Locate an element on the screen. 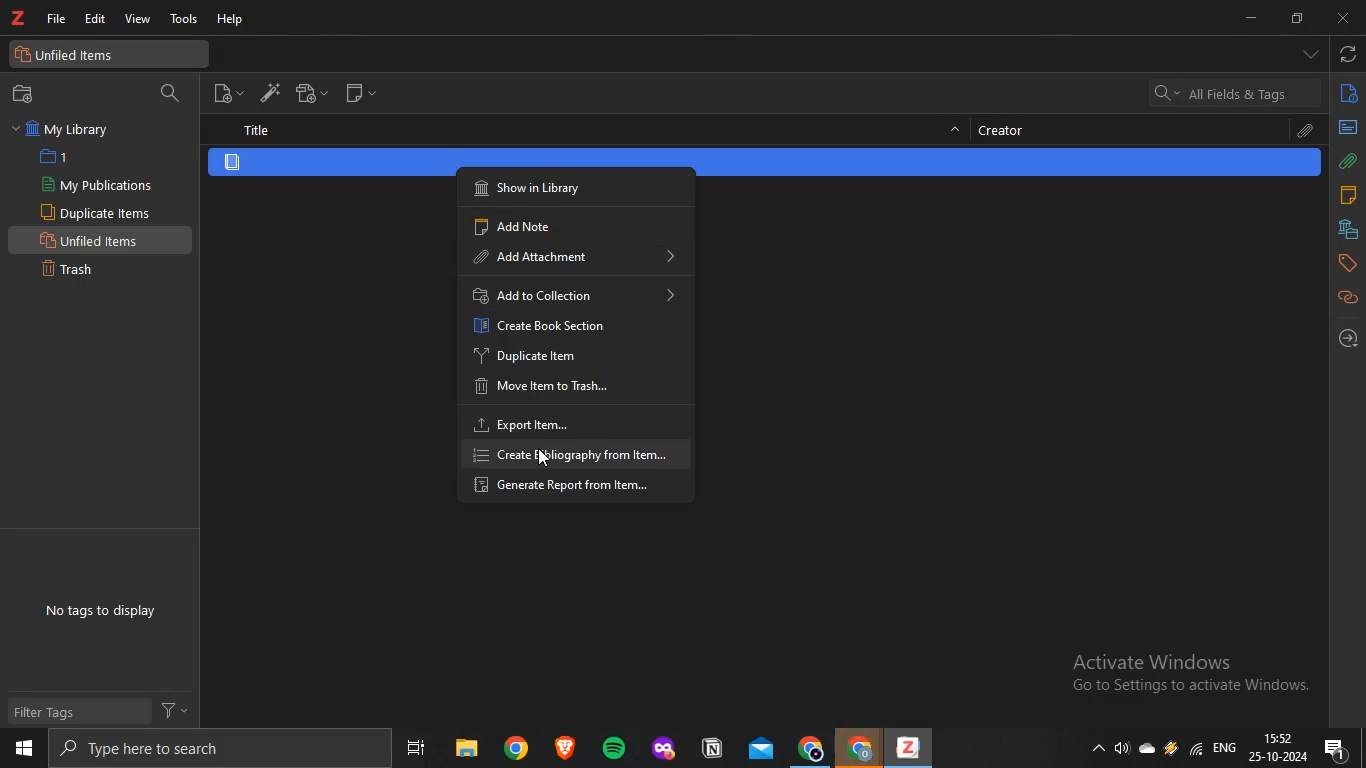 The height and width of the screenshot is (768, 1366). chrome is located at coordinates (812, 747).